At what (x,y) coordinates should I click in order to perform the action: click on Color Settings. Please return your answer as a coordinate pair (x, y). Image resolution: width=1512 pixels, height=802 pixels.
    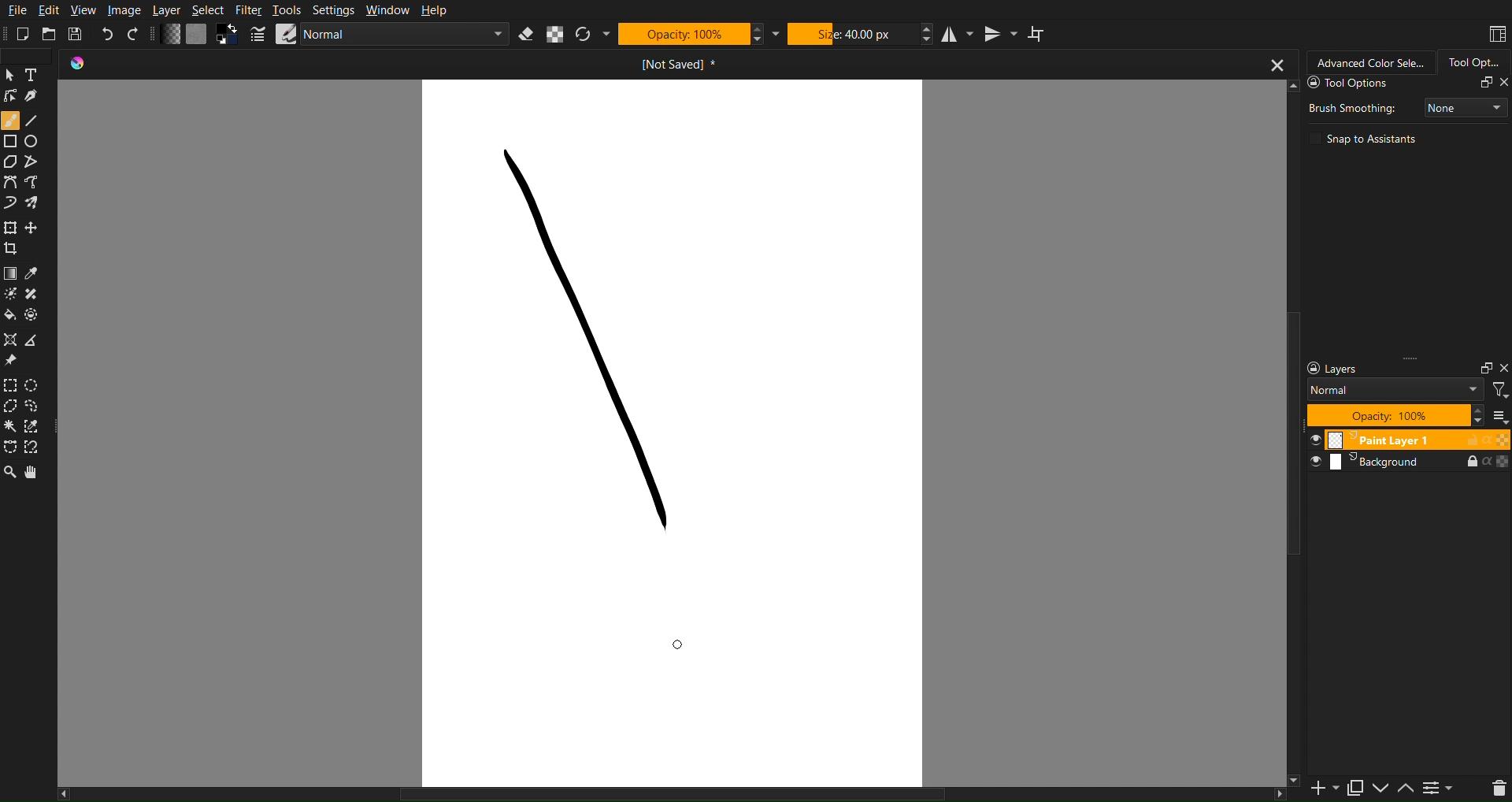
    Looking at the image, I should click on (199, 35).